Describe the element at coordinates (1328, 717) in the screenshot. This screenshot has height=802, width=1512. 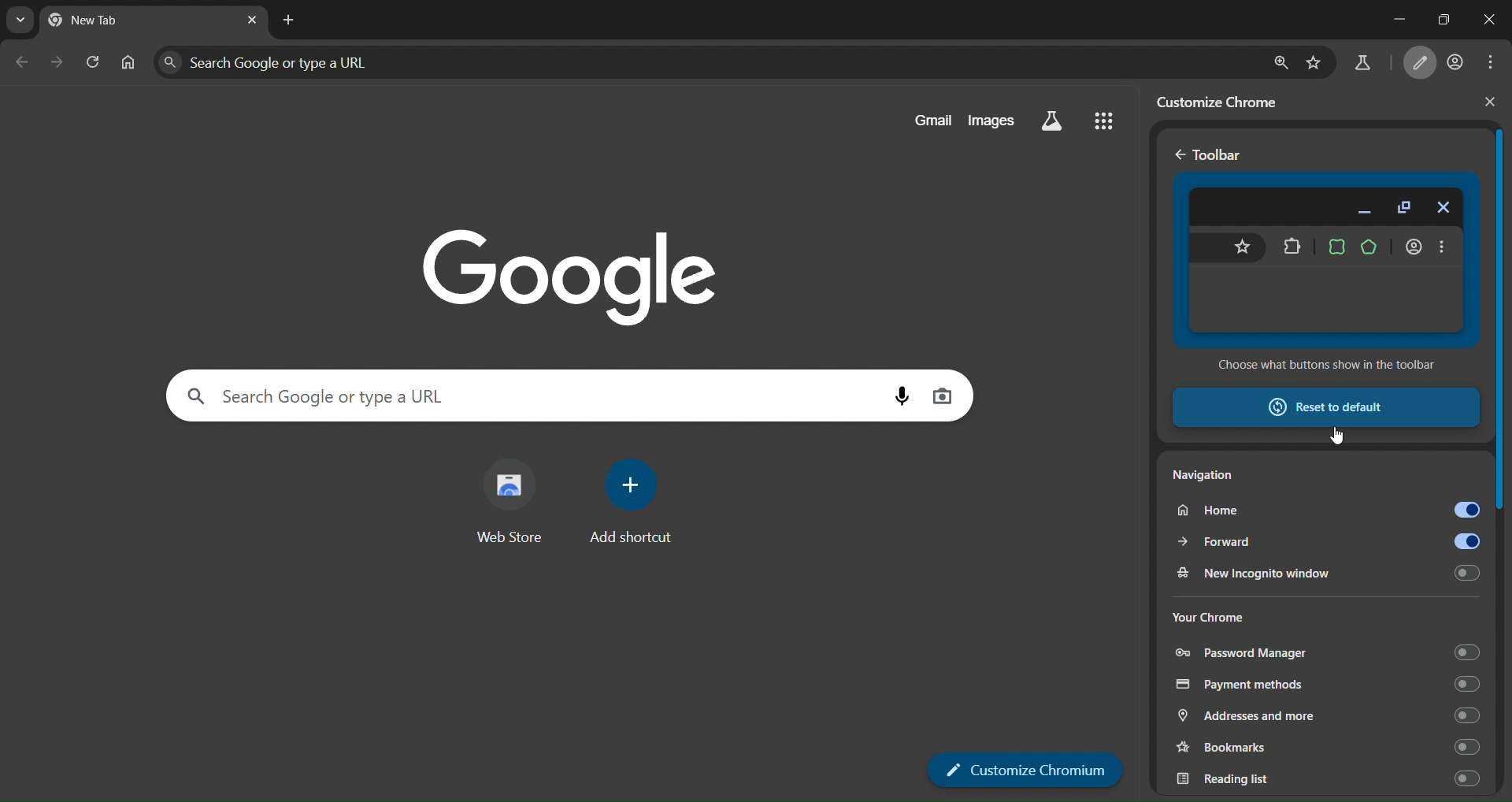
I see `addresses and more` at that location.